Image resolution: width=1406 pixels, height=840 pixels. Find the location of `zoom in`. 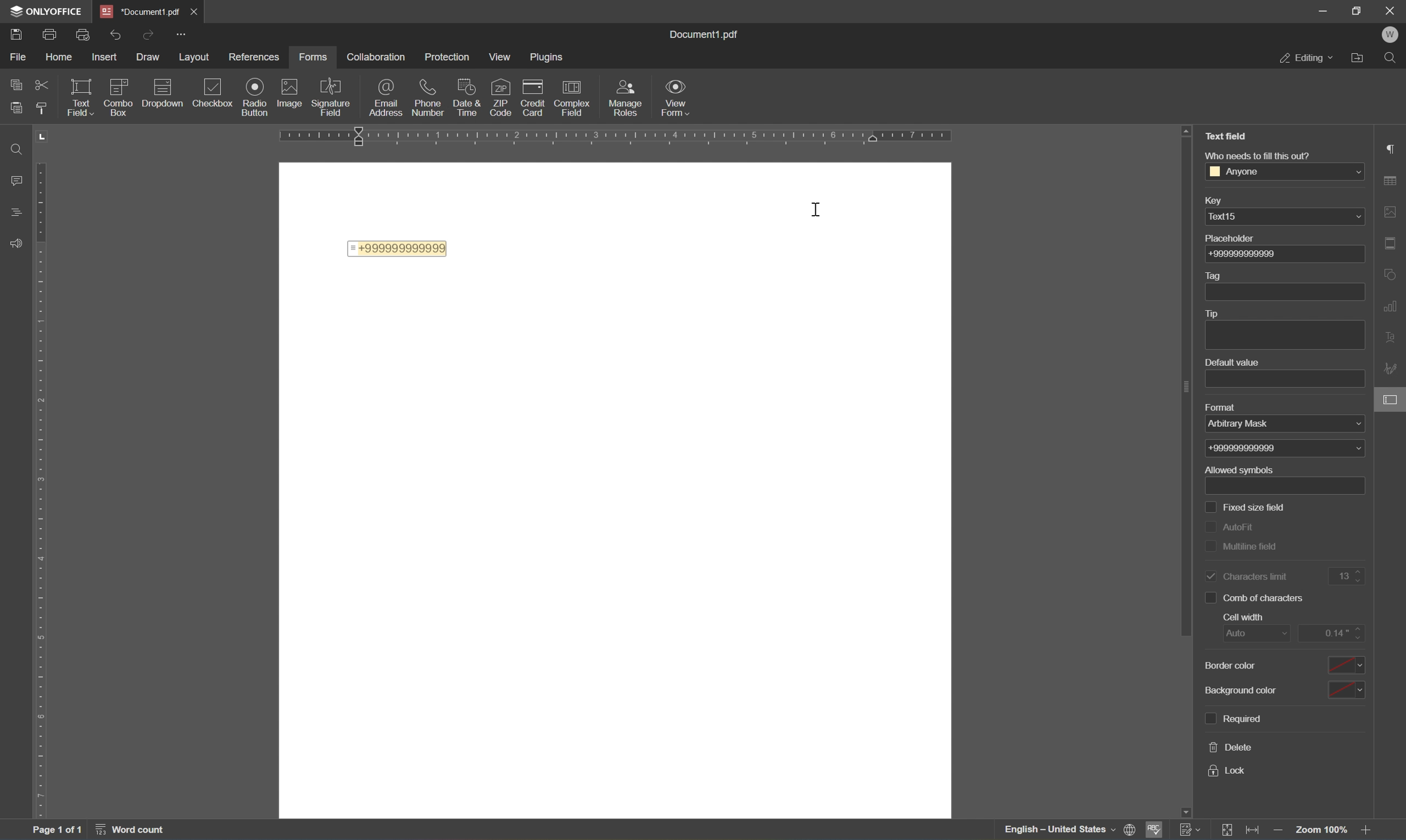

zoom in is located at coordinates (1370, 832).